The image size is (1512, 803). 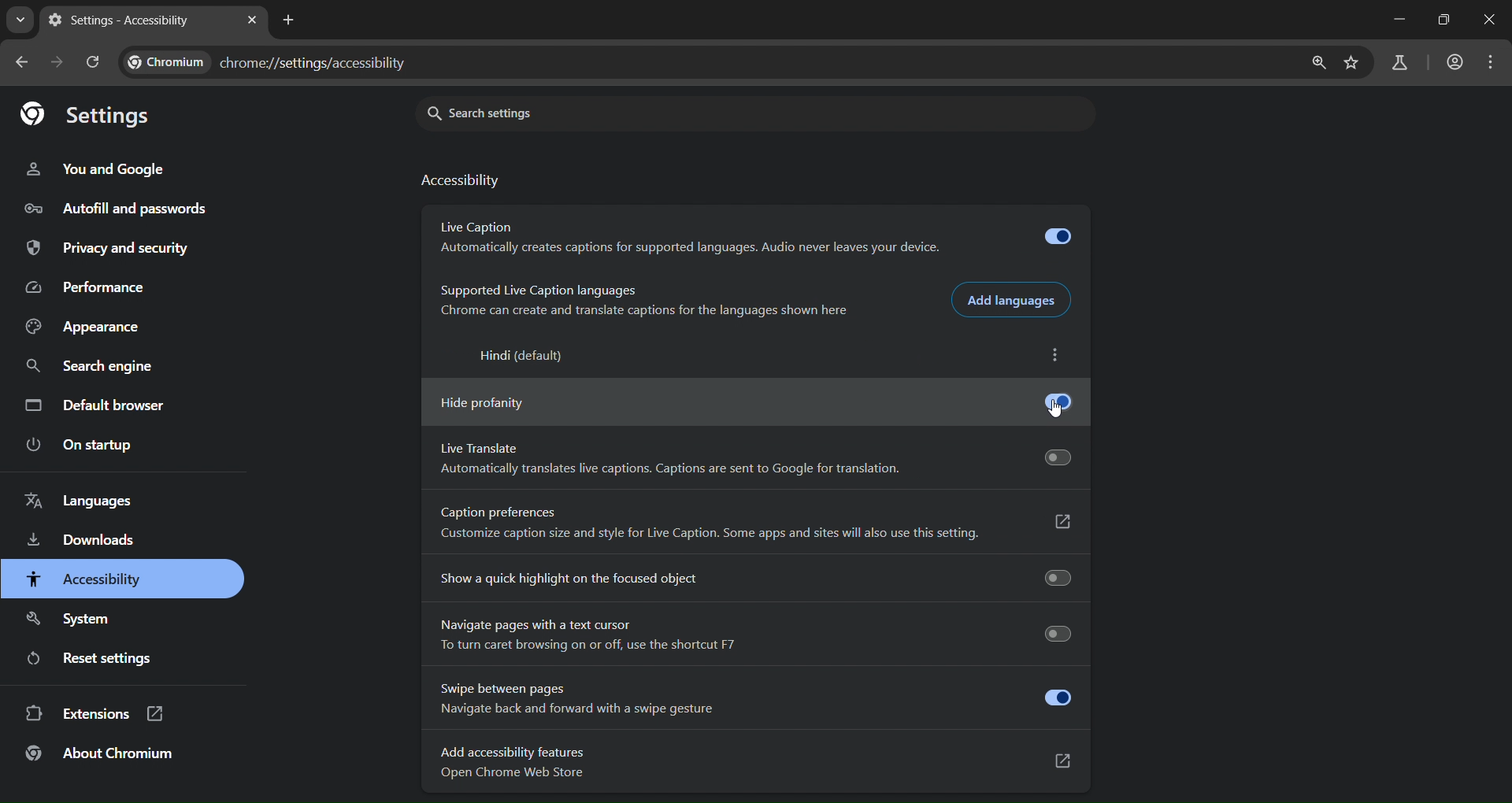 I want to click on extensions, so click(x=103, y=716).